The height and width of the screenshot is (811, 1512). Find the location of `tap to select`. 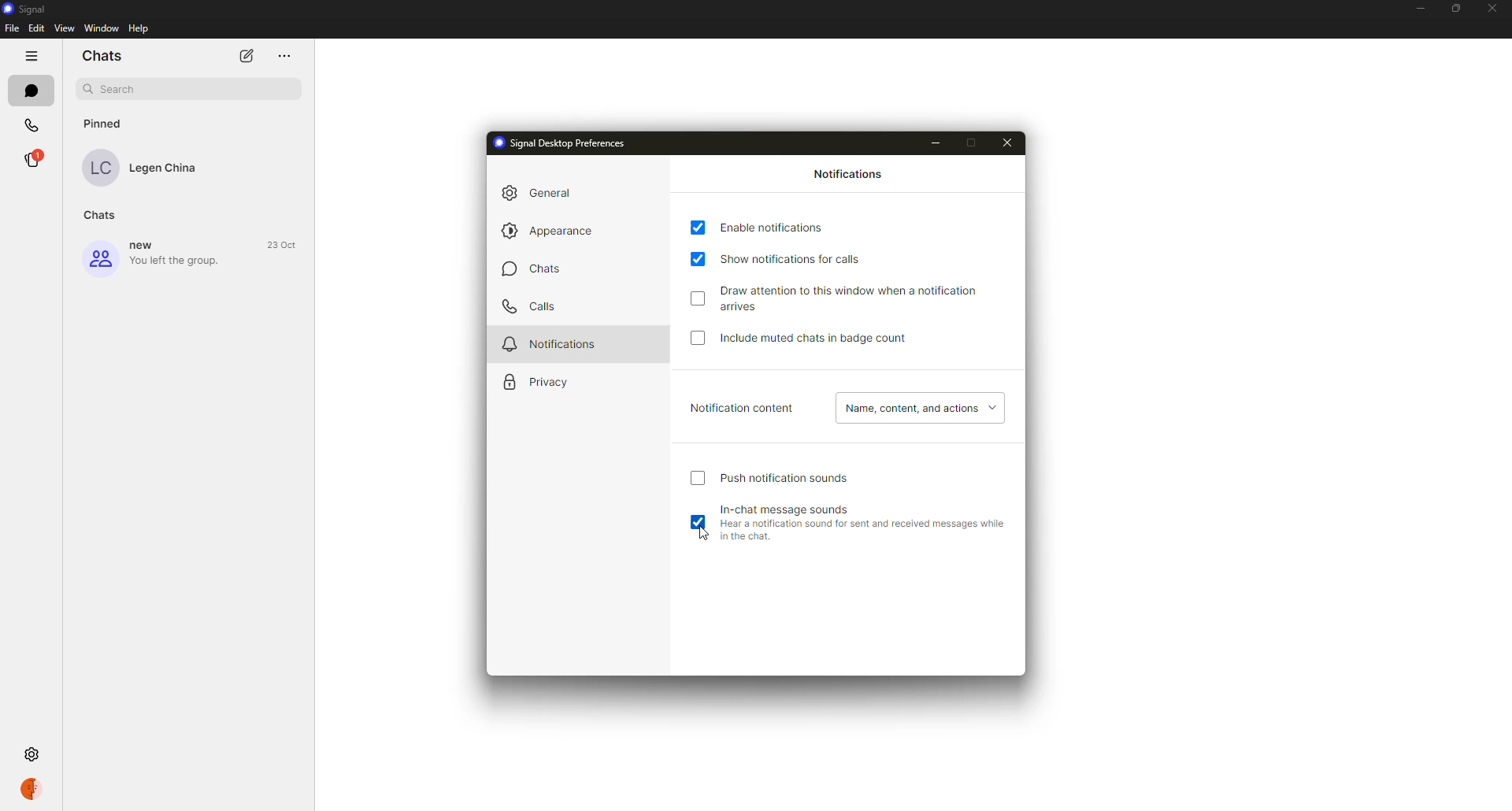

tap to select is located at coordinates (698, 337).